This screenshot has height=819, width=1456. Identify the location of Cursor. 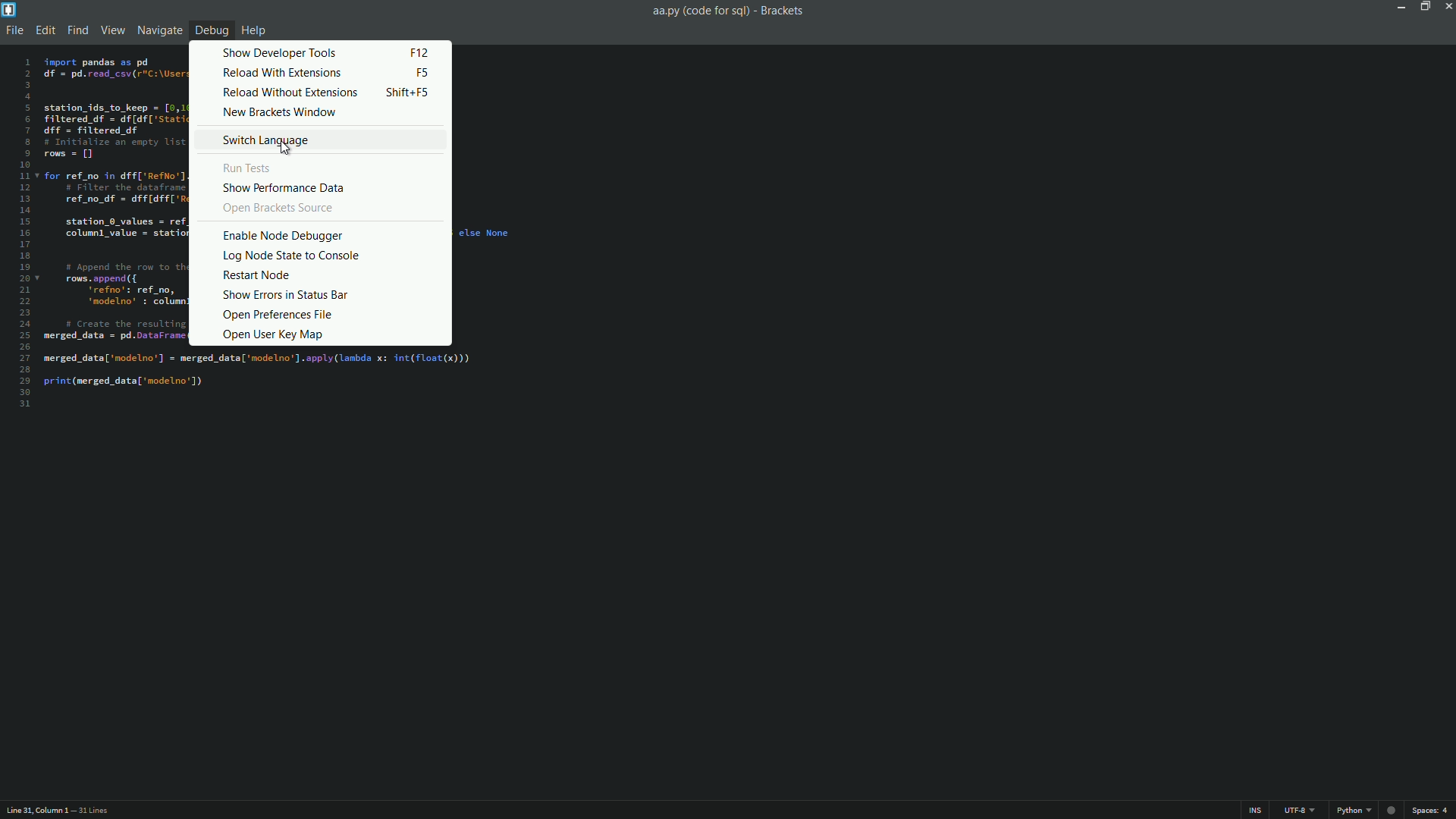
(288, 149).